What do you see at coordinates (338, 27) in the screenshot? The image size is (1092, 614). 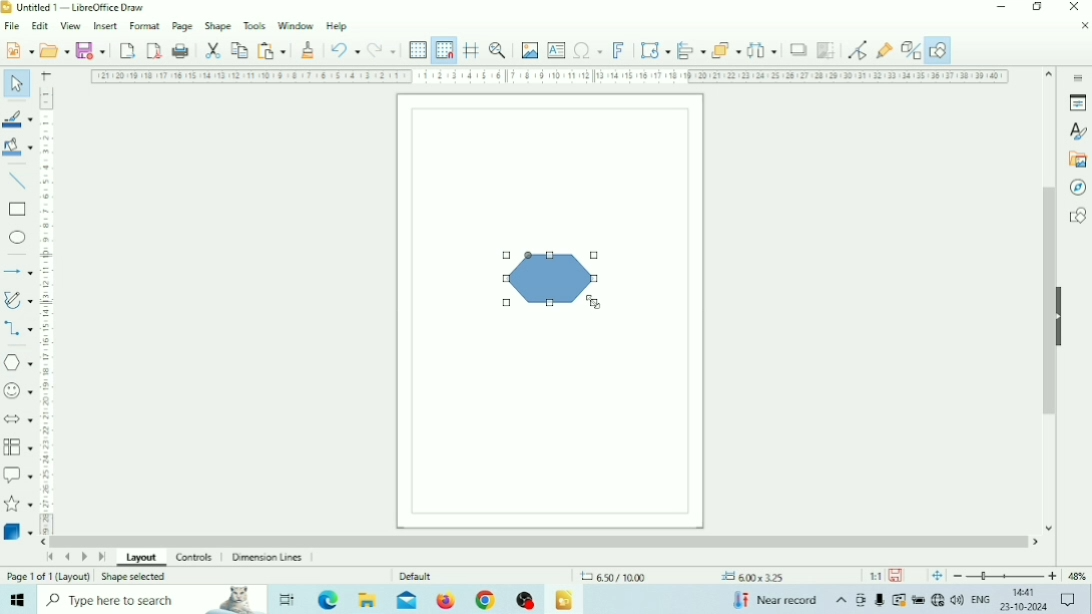 I see `Help` at bounding box center [338, 27].